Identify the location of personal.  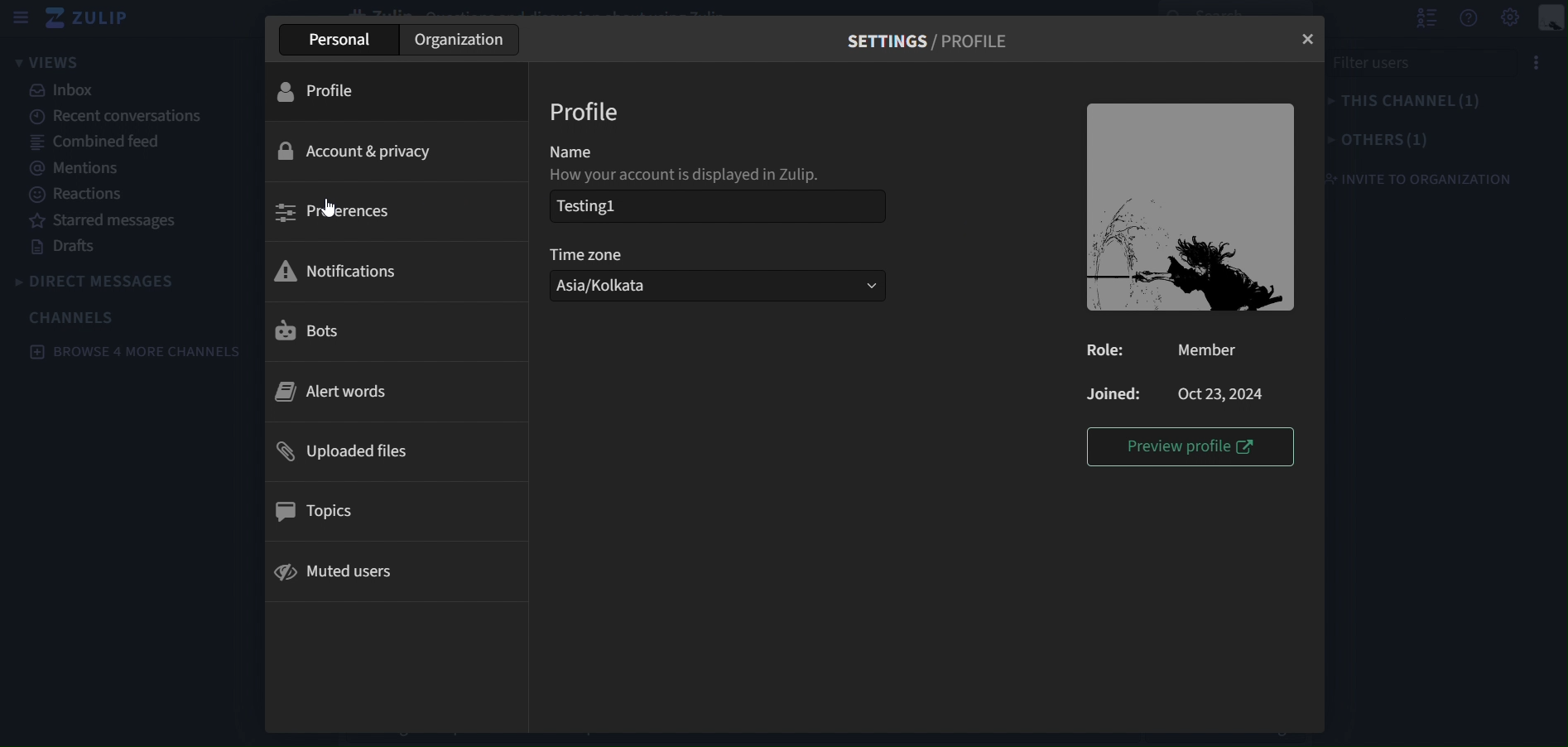
(340, 40).